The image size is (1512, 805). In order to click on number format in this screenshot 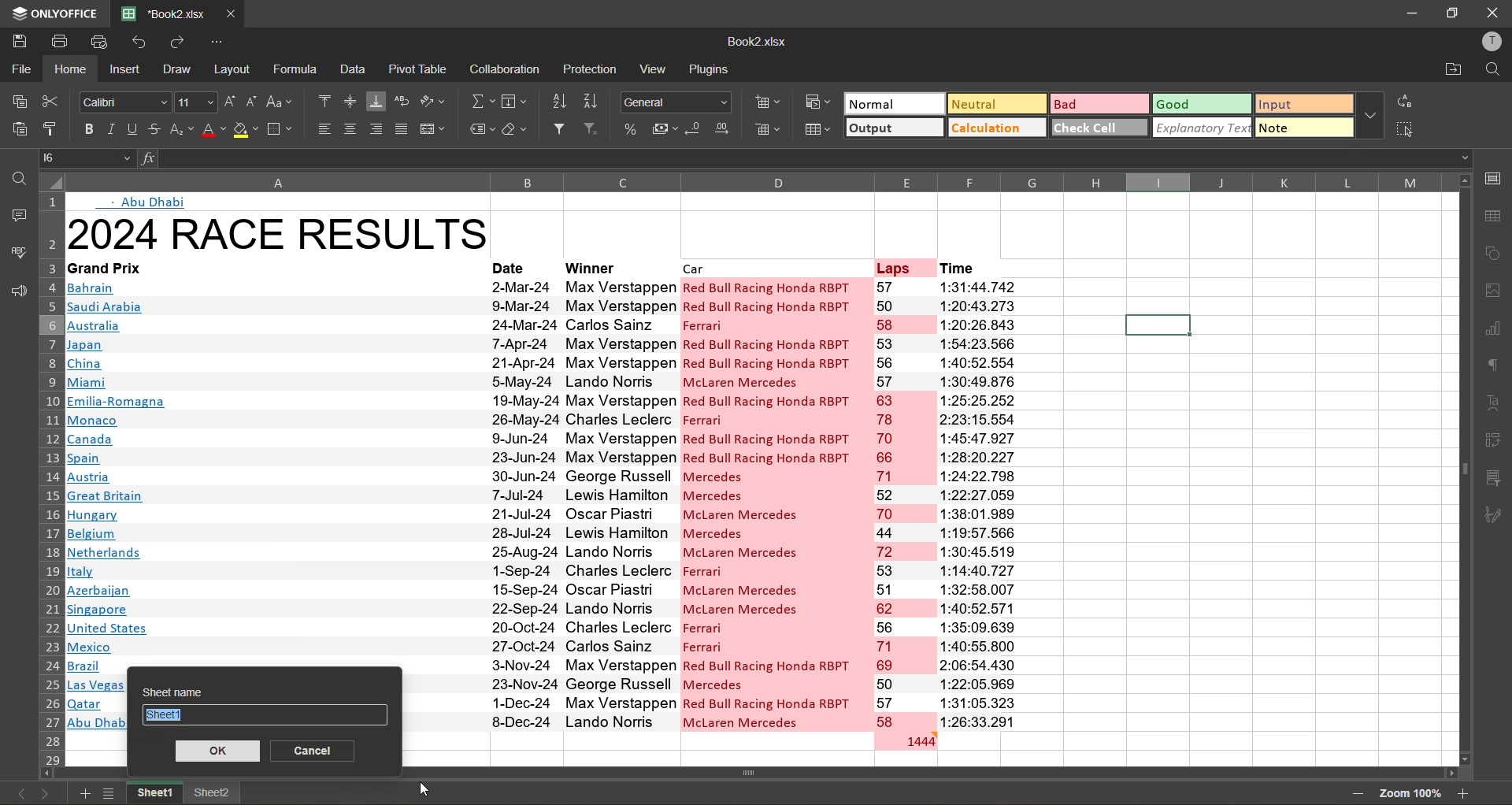, I will do `click(677, 101)`.